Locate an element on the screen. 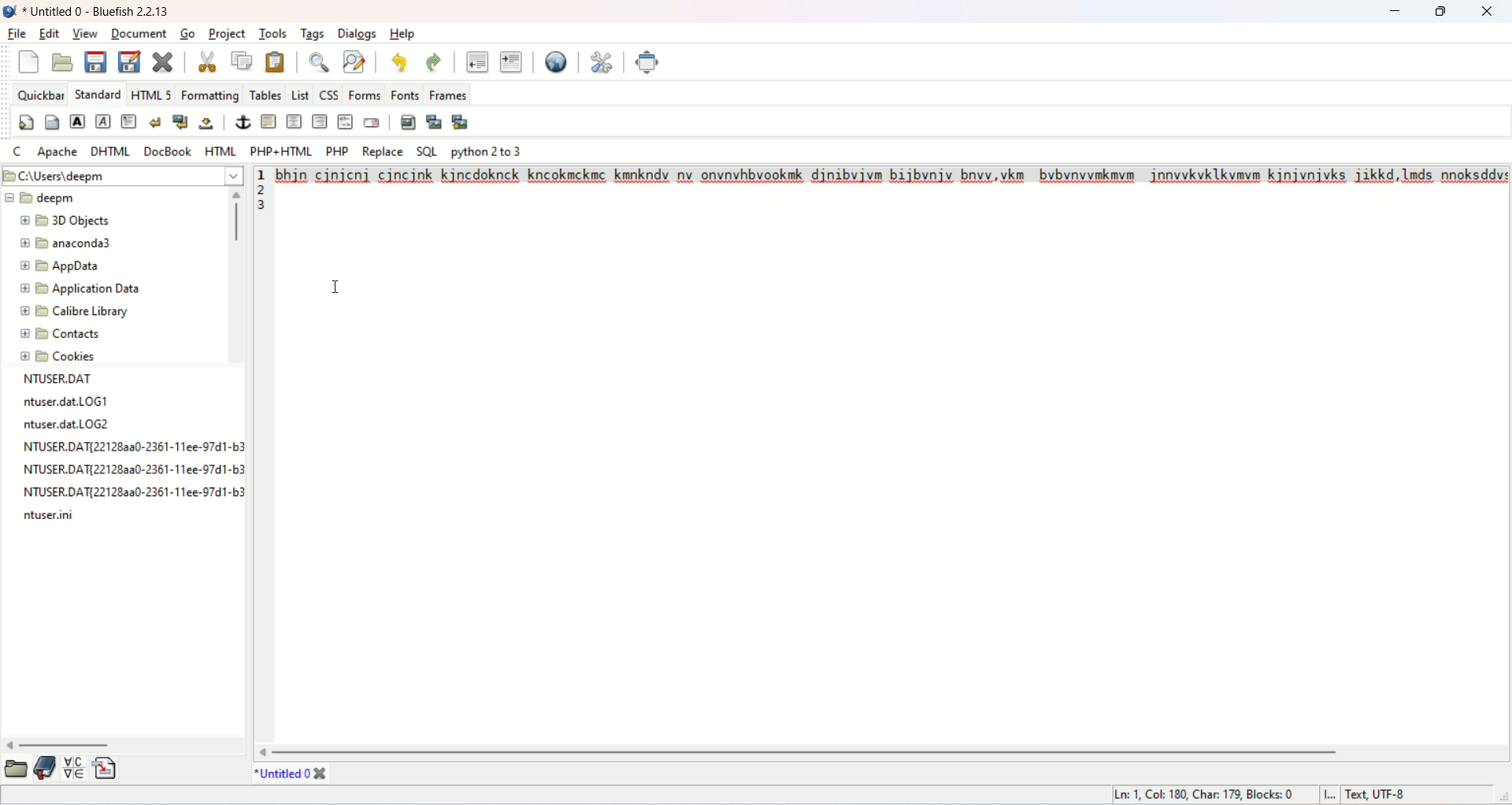 Image resolution: width=1512 pixels, height=805 pixels. horizontal rule is located at coordinates (270, 122).